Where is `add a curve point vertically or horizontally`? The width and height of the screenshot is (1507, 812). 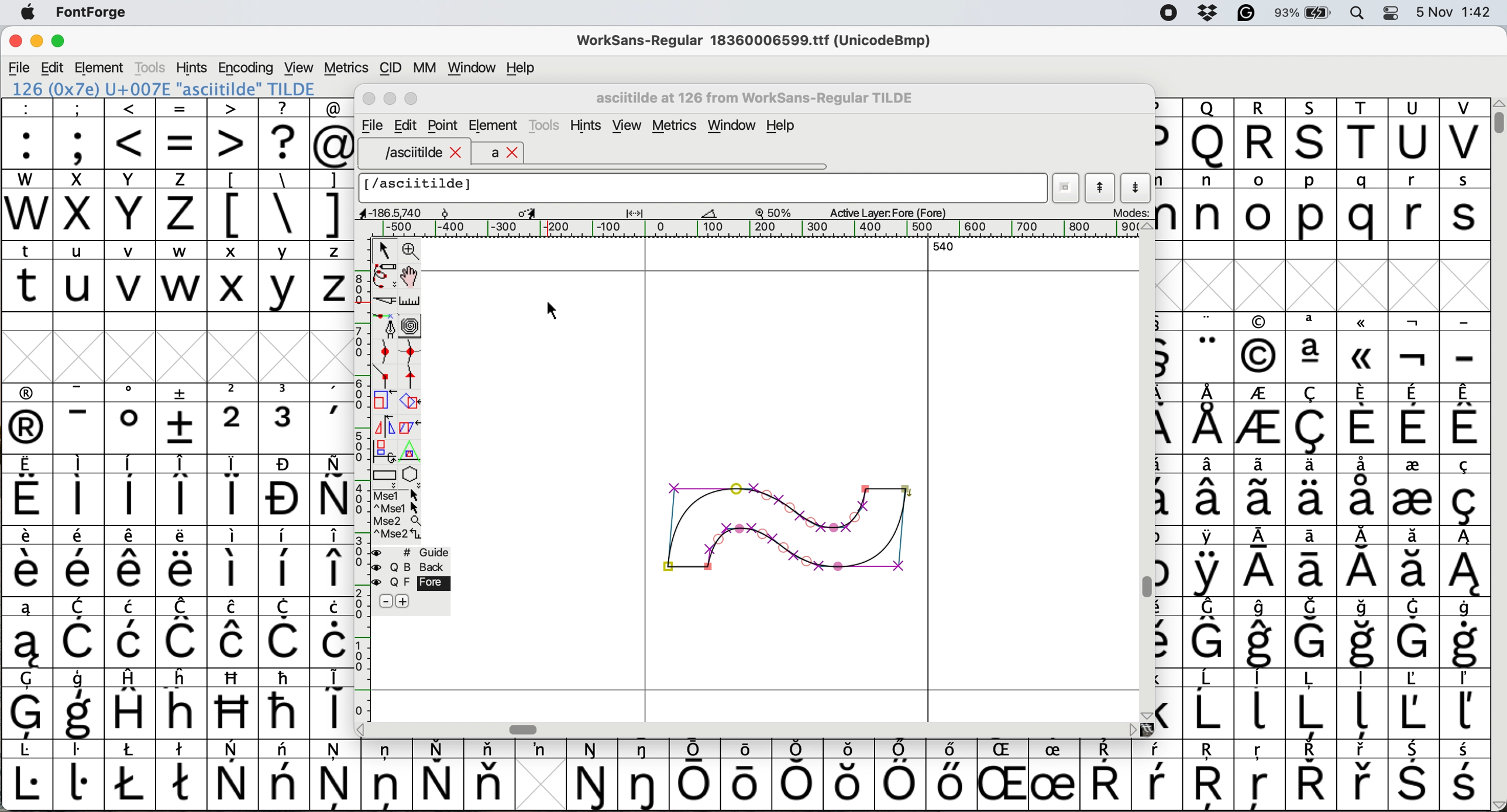 add a curve point vertically or horizontally is located at coordinates (414, 352).